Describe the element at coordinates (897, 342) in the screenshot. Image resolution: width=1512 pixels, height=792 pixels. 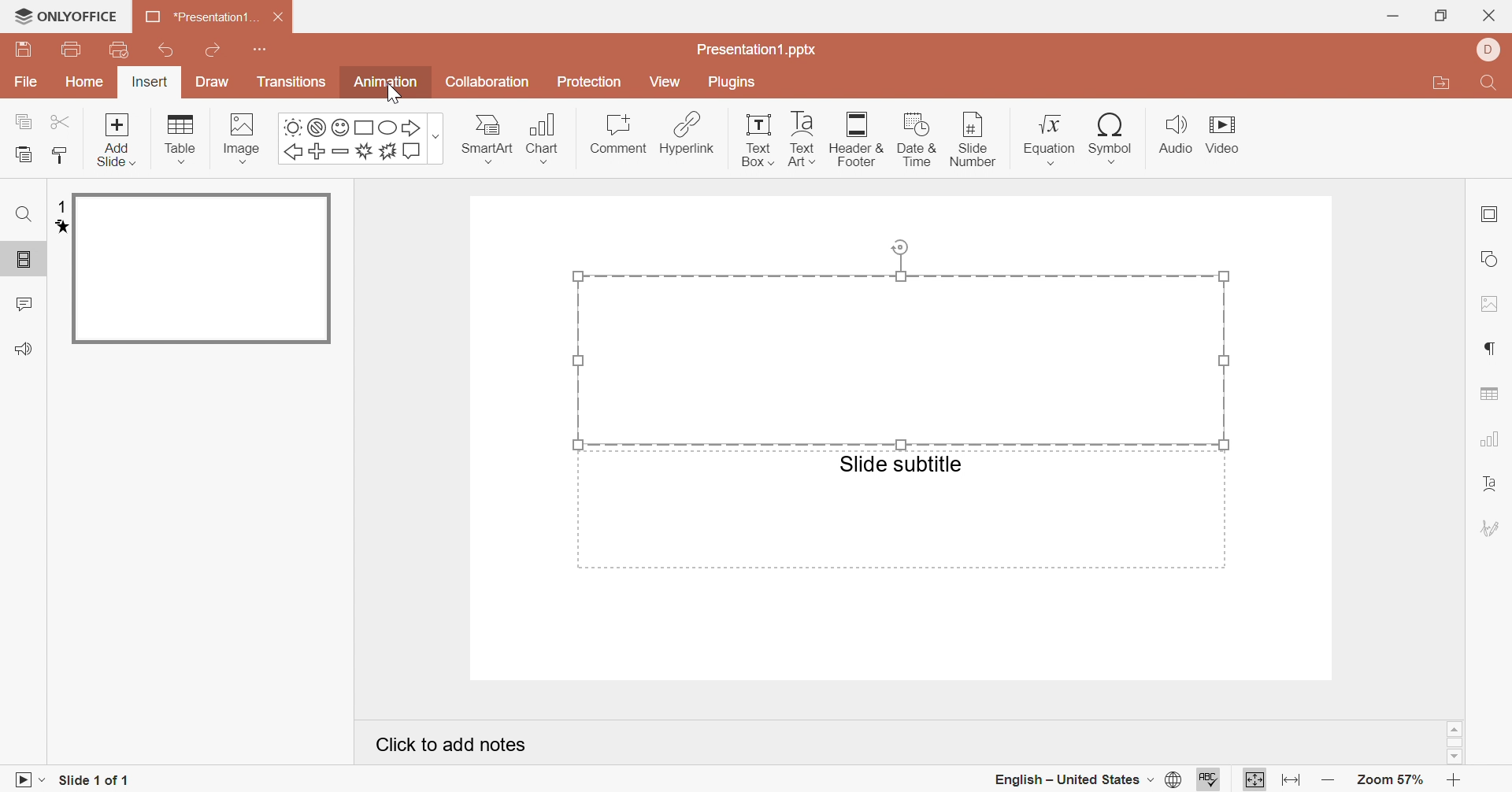
I see `selected area` at that location.